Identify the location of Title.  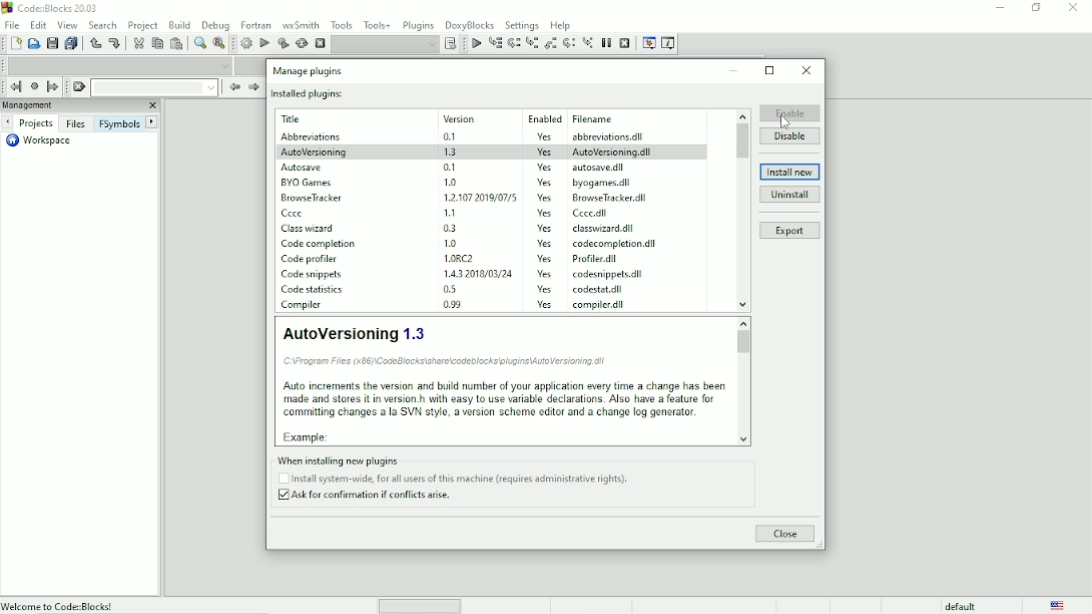
(55, 8).